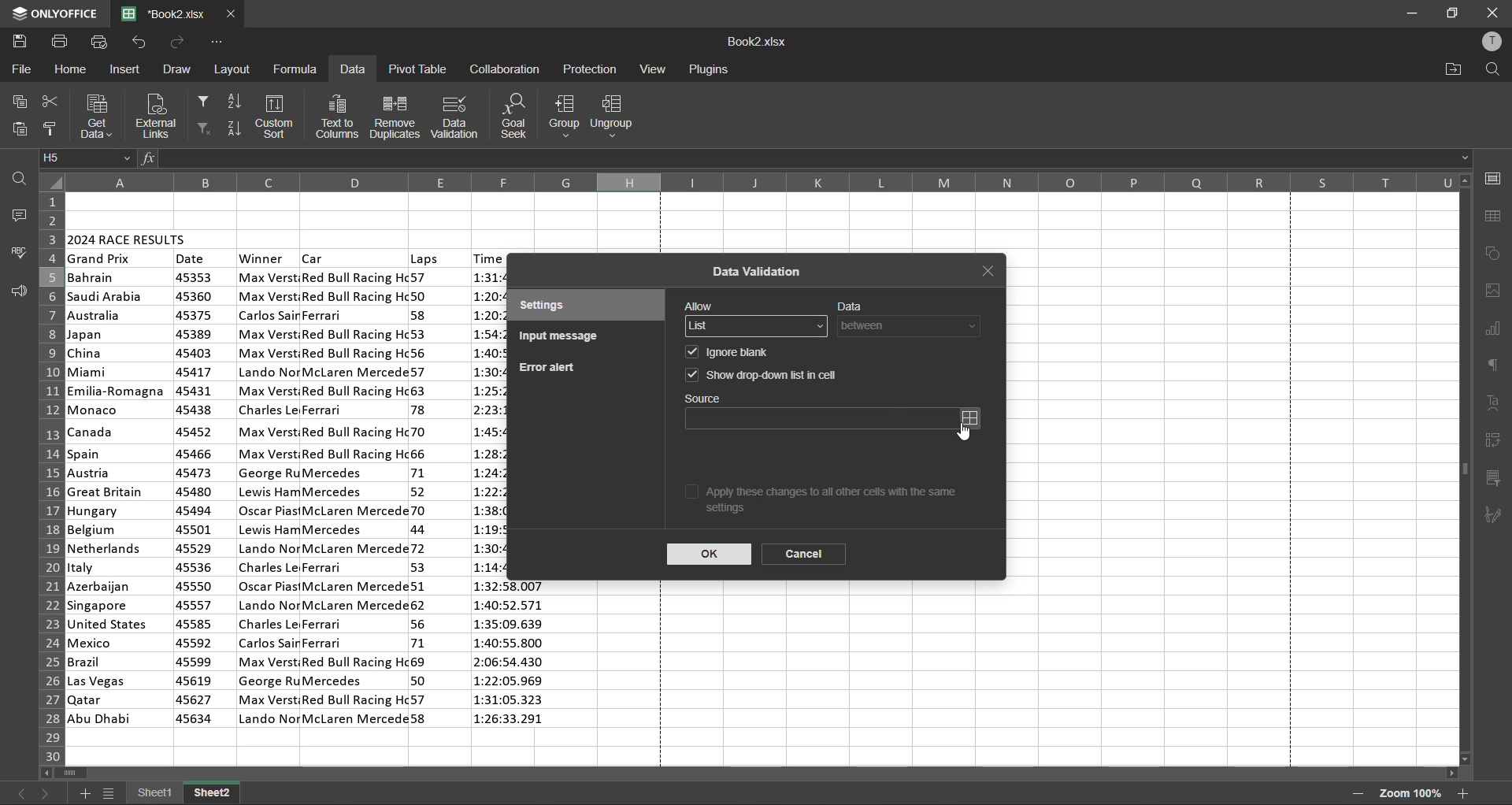  What do you see at coordinates (202, 99) in the screenshot?
I see `filter` at bounding box center [202, 99].